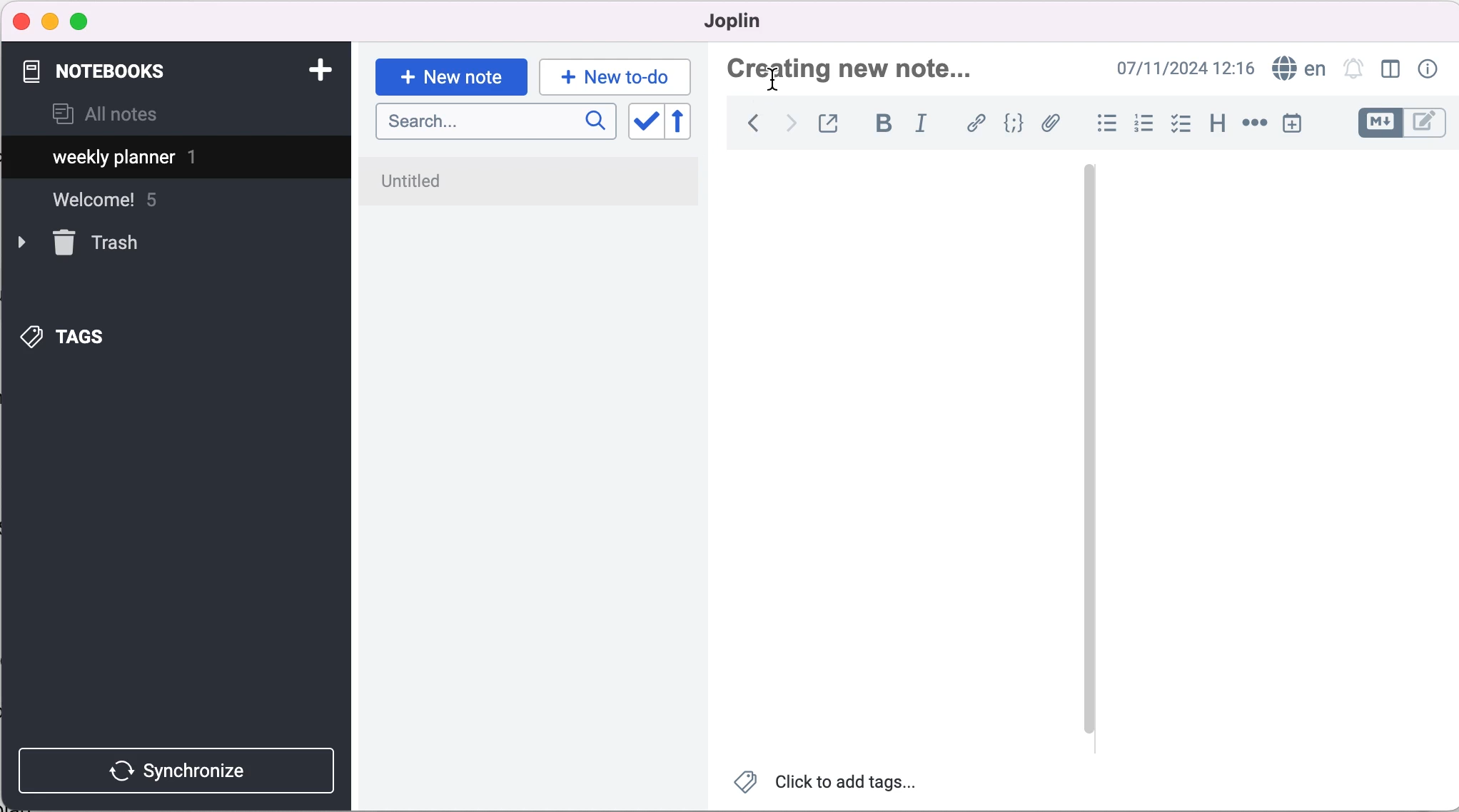 The height and width of the screenshot is (812, 1459). What do you see at coordinates (883, 124) in the screenshot?
I see `bold` at bounding box center [883, 124].